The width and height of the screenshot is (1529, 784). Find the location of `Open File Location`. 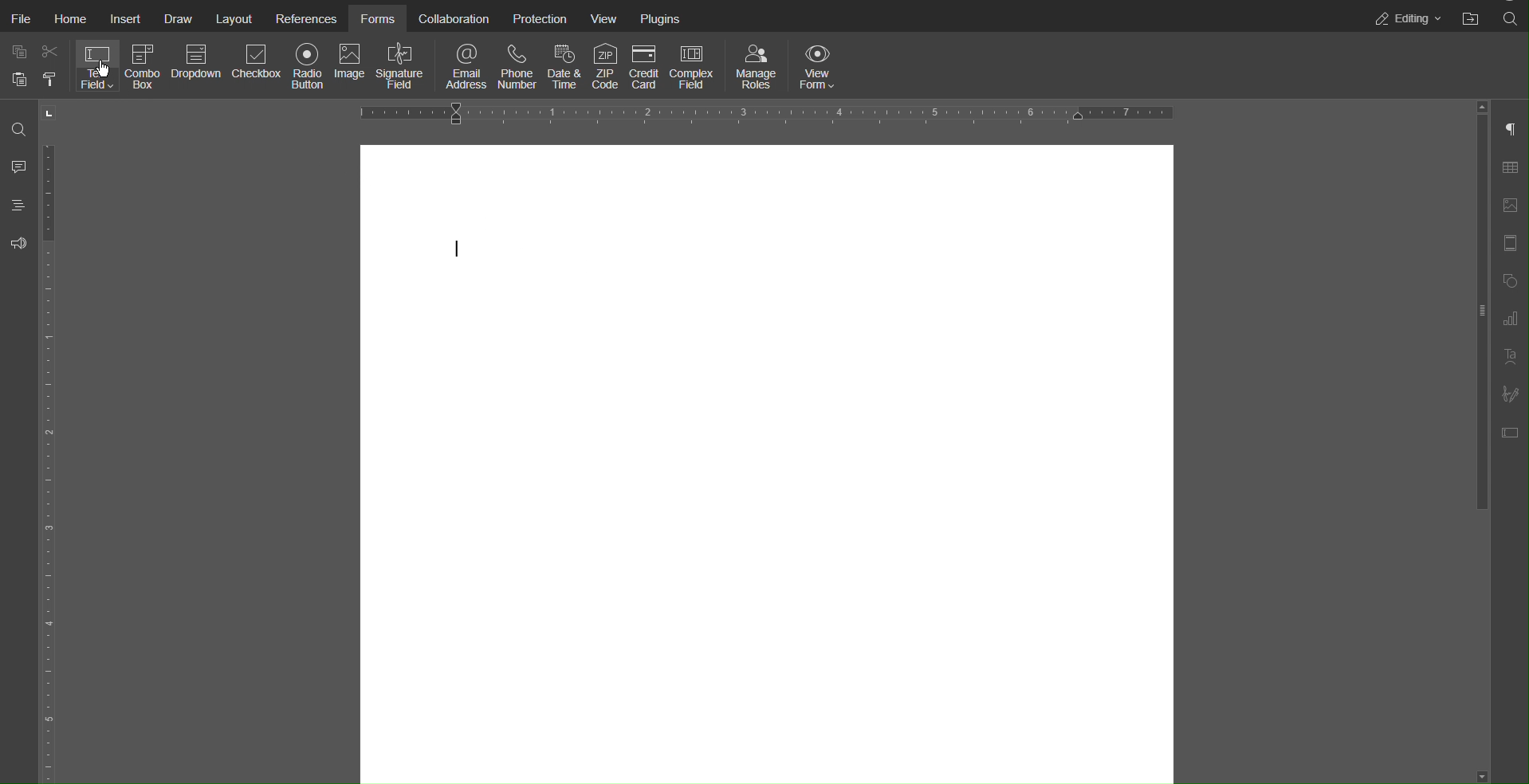

Open File Location is located at coordinates (1472, 17).